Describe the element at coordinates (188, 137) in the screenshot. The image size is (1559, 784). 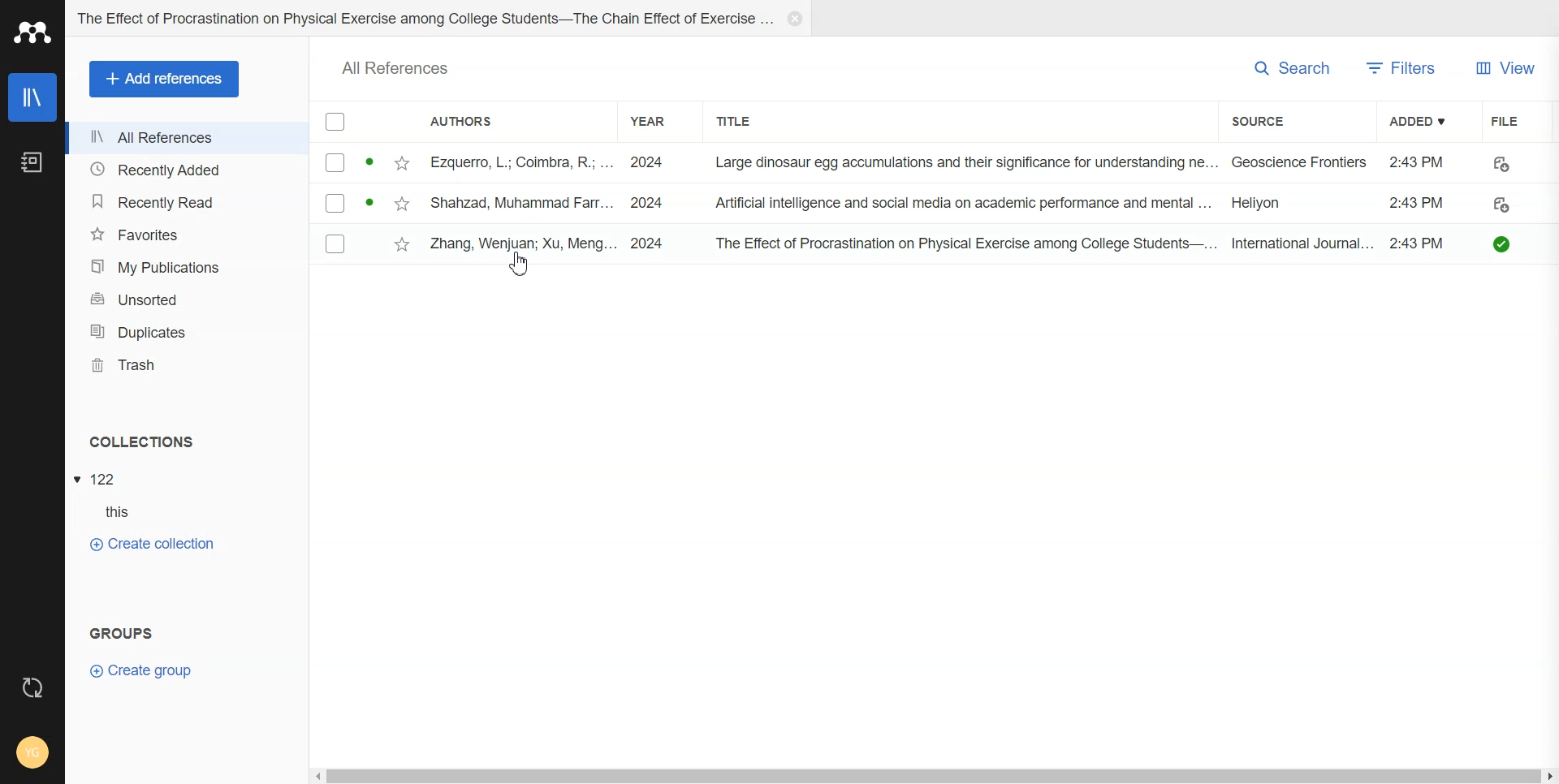
I see `All References` at that location.